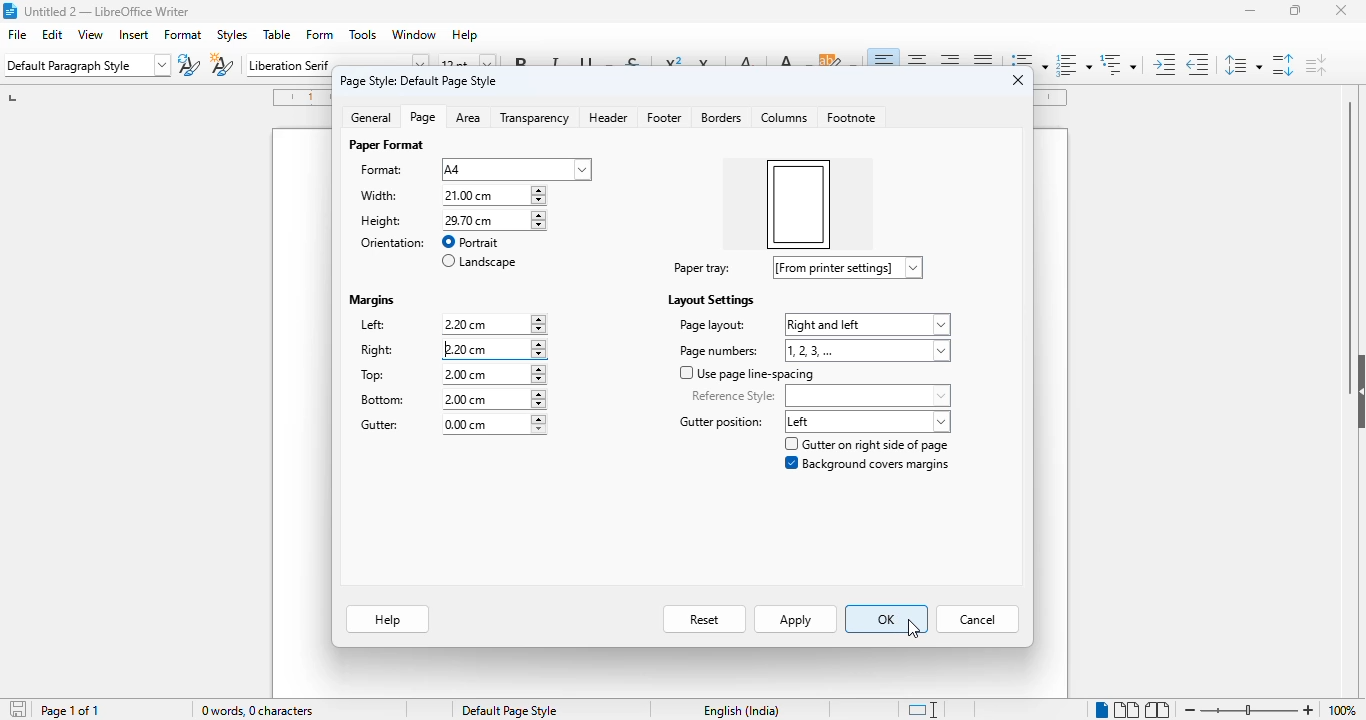 The height and width of the screenshot is (720, 1366). What do you see at coordinates (951, 60) in the screenshot?
I see `align right` at bounding box center [951, 60].